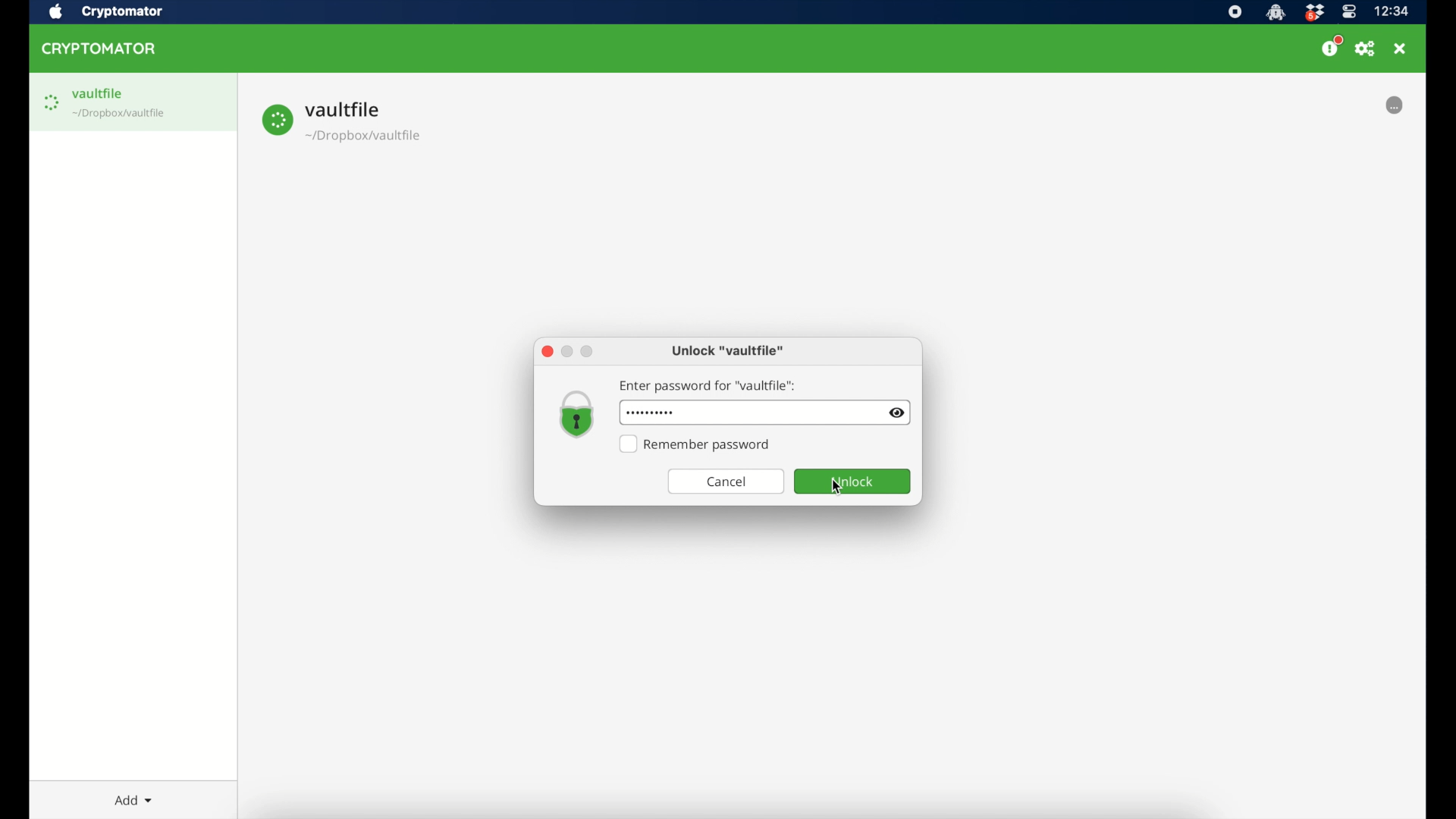  Describe the element at coordinates (1314, 11) in the screenshot. I see `dropbox icon` at that location.